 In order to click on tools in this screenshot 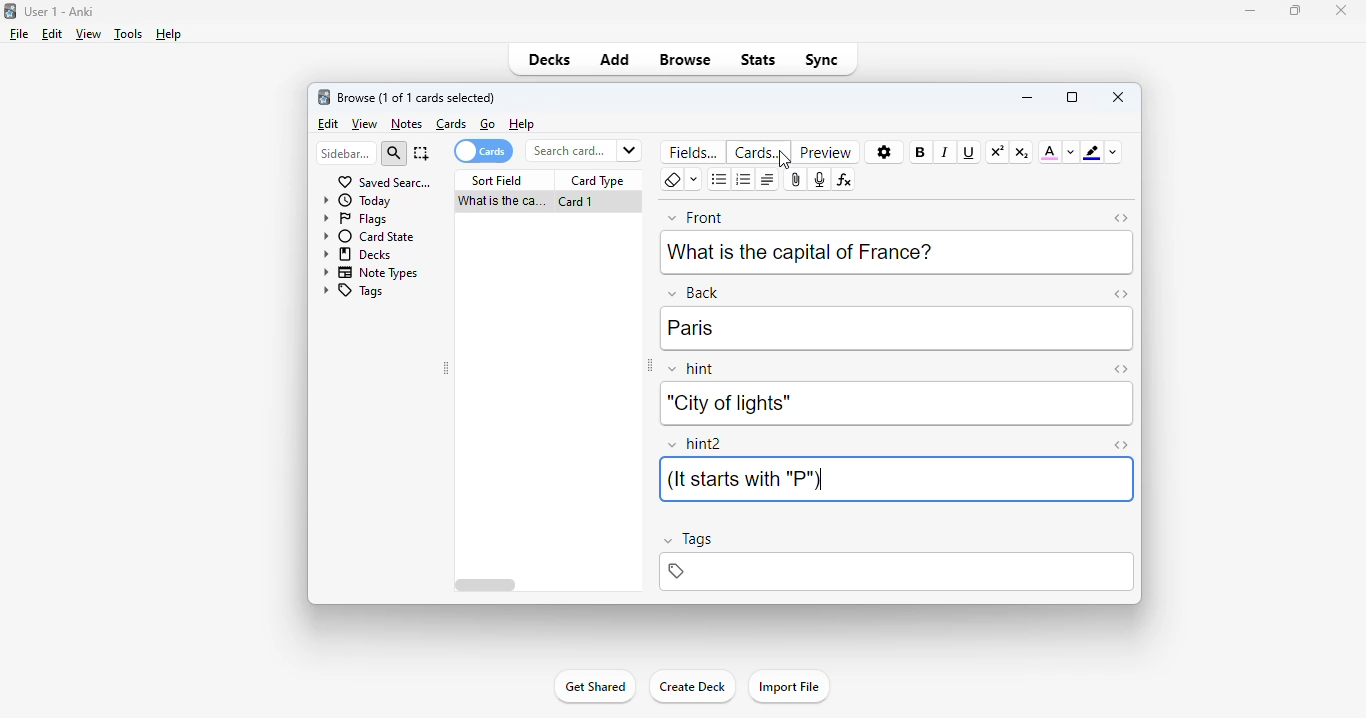, I will do `click(129, 34)`.